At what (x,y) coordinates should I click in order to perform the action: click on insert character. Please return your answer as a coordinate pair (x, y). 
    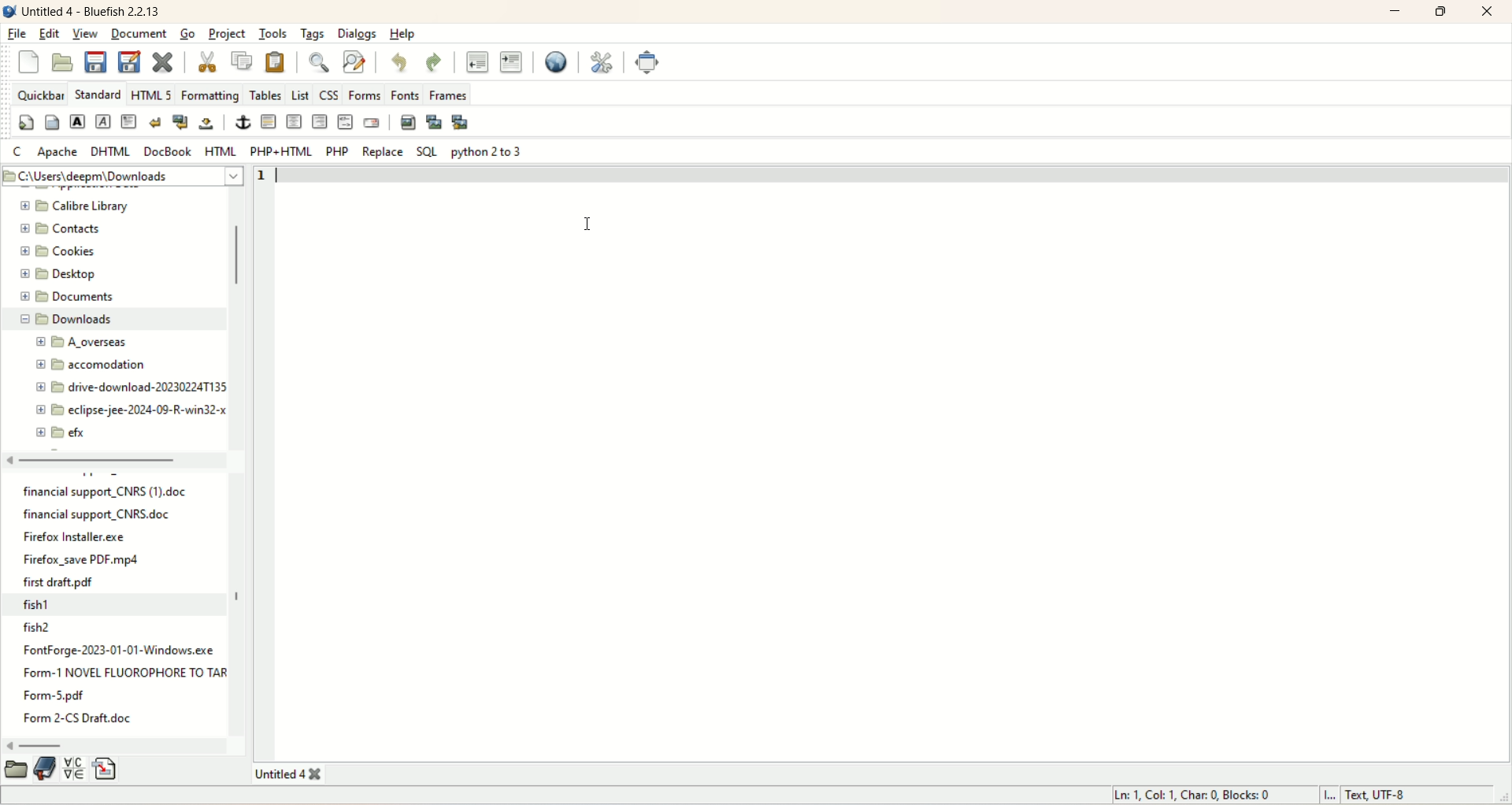
    Looking at the image, I should click on (73, 768).